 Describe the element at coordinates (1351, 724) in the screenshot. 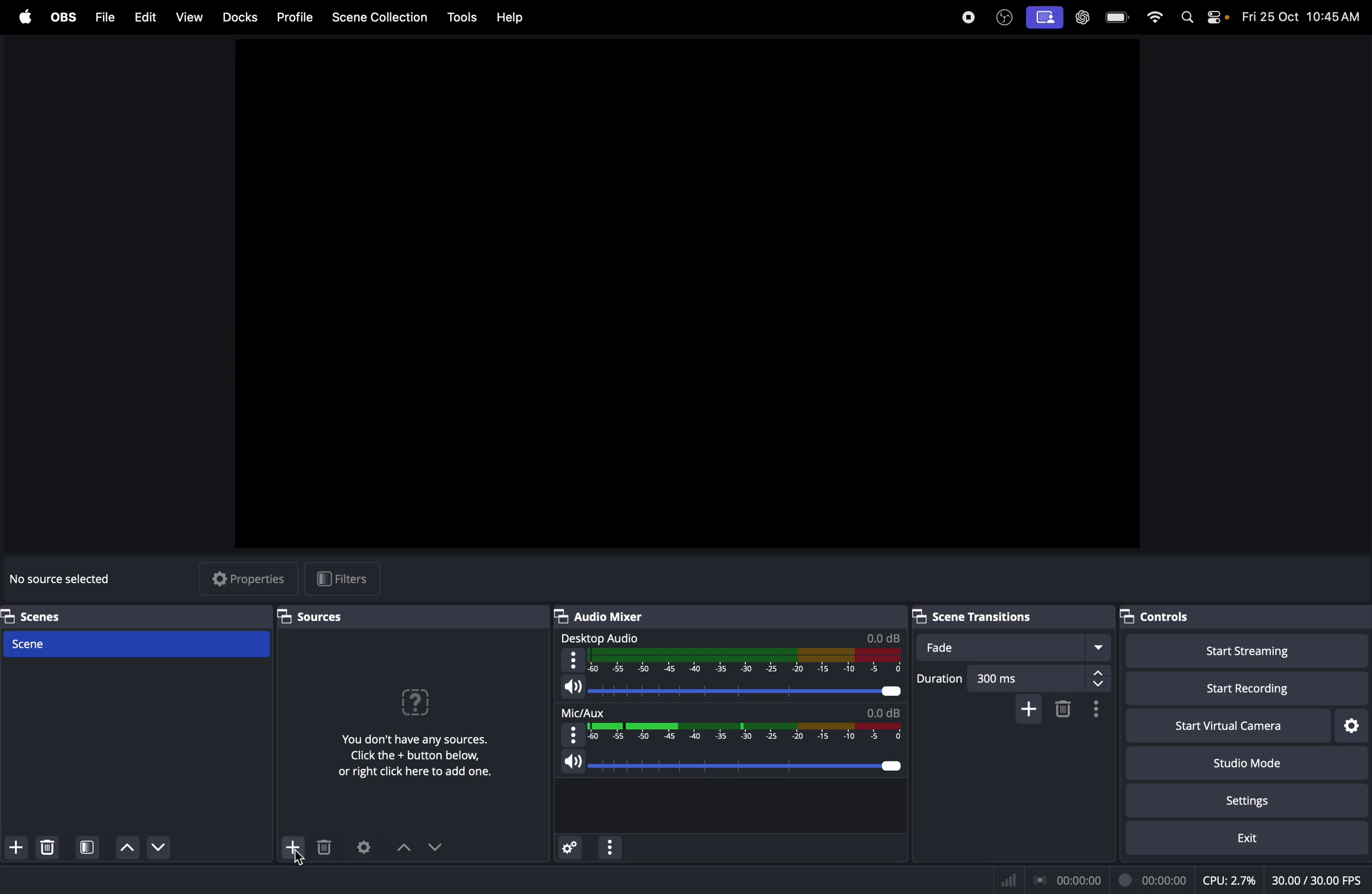

I see `virtual camera settings` at that location.